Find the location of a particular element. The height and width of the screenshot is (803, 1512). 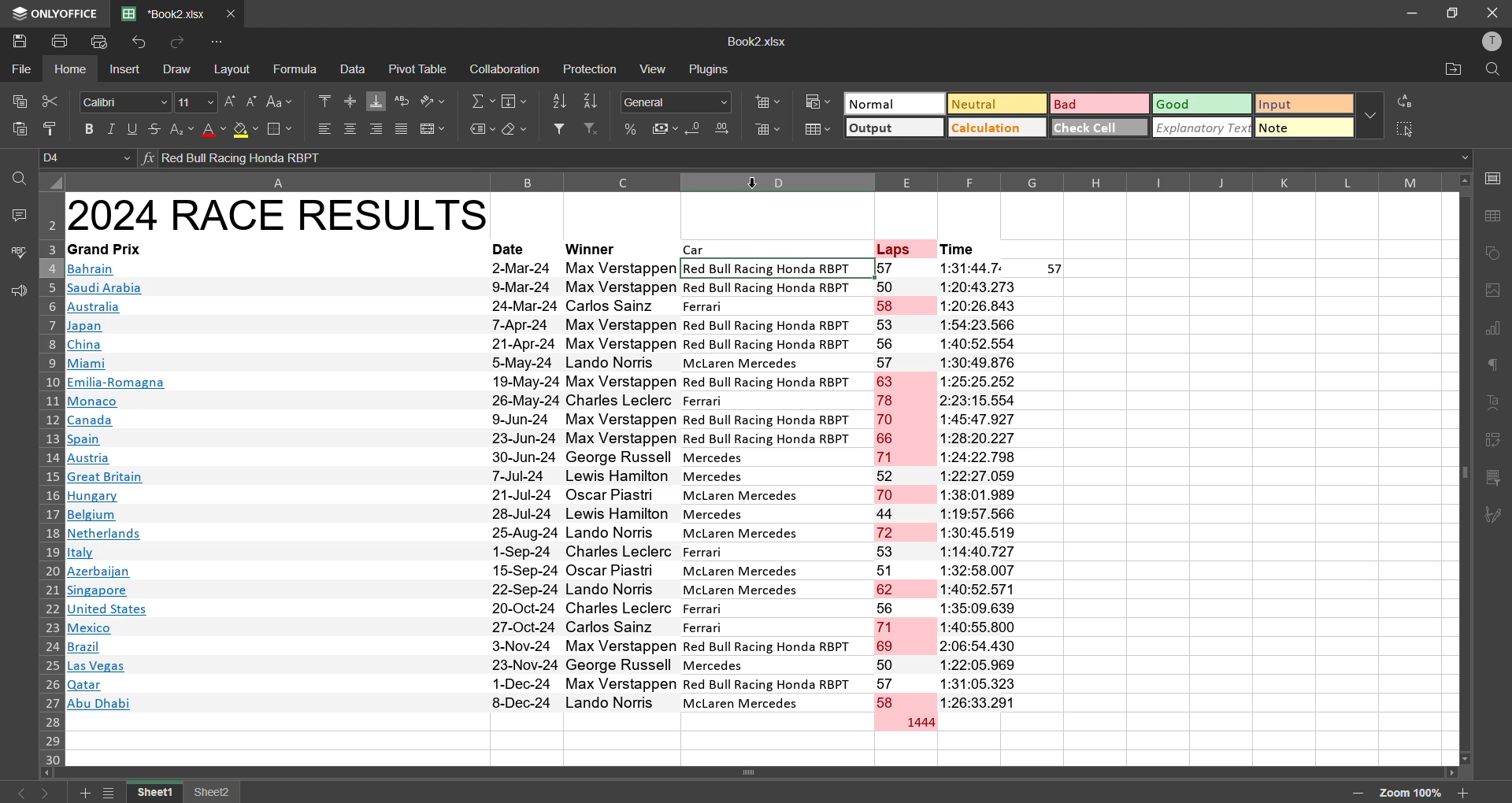

cell address is located at coordinates (89, 158).